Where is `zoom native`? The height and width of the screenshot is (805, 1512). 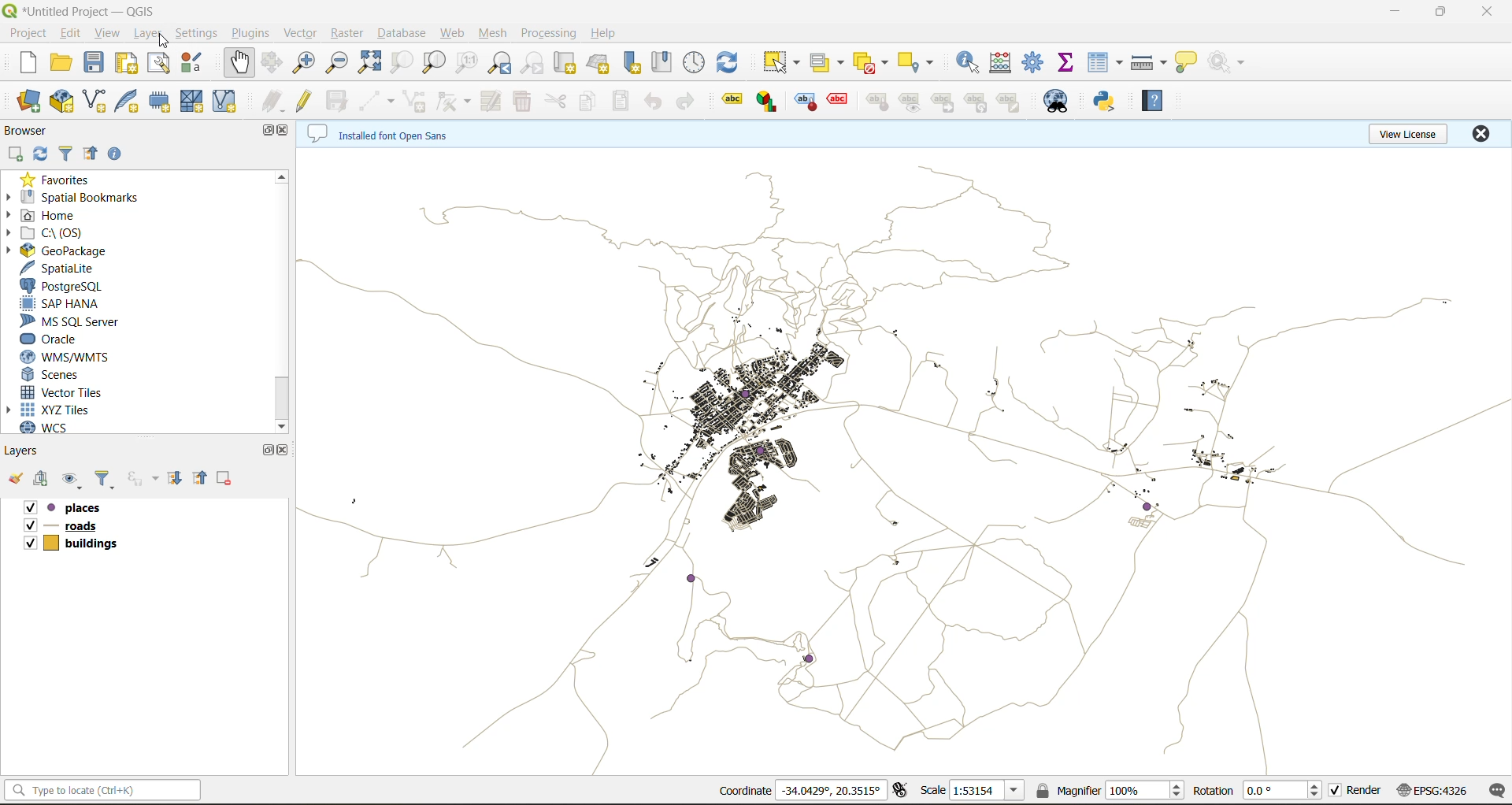 zoom native is located at coordinates (468, 64).